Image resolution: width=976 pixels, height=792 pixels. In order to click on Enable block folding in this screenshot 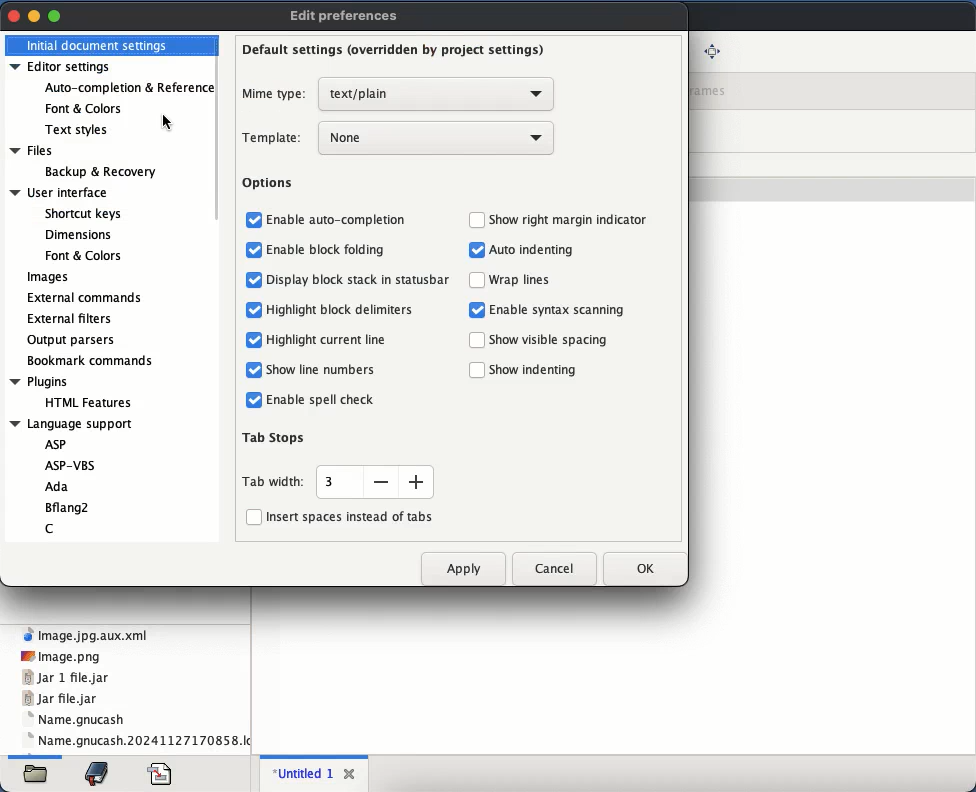, I will do `click(331, 249)`.